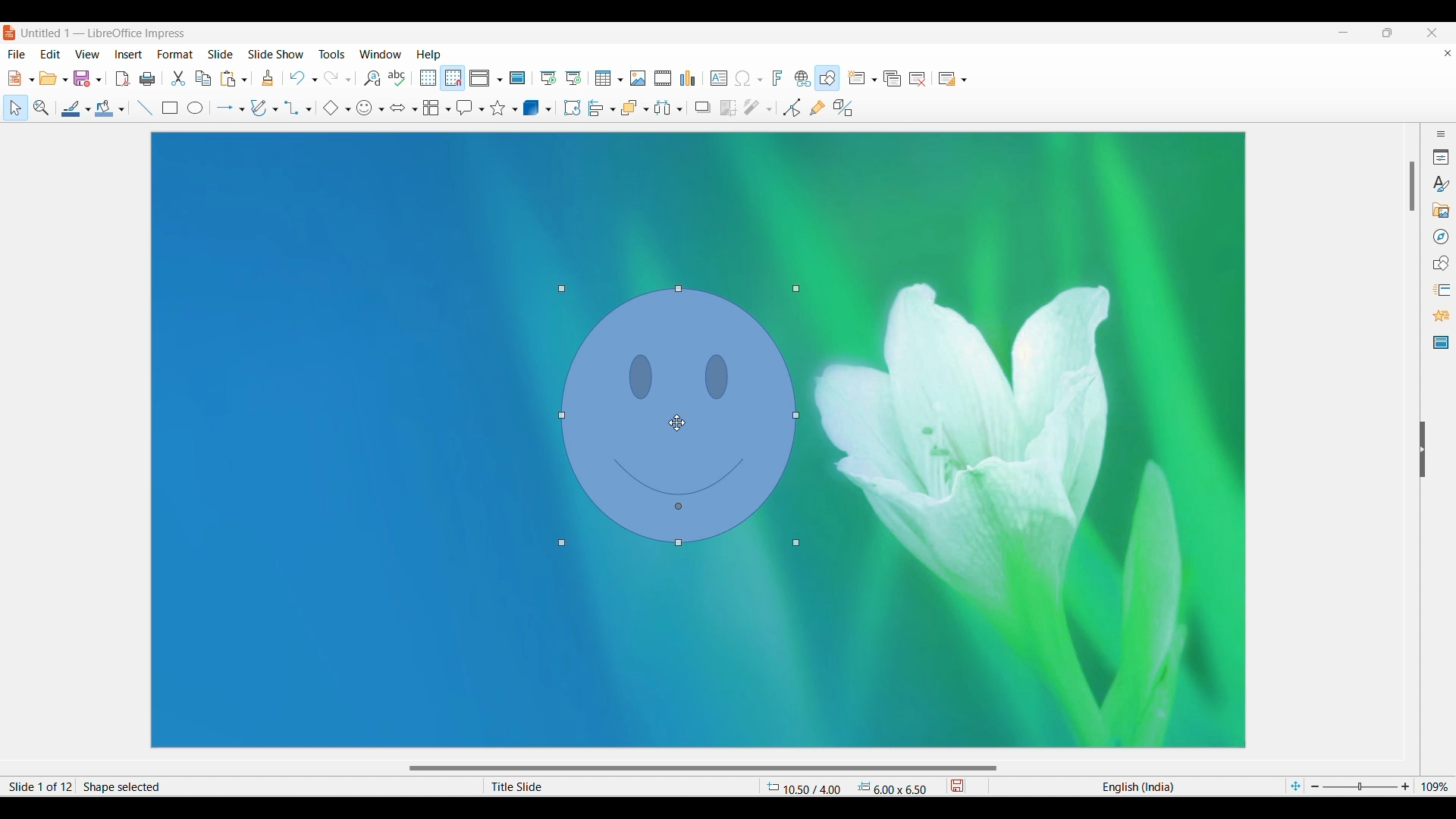 The image size is (1456, 819). Describe the element at coordinates (1435, 786) in the screenshot. I see `109%` at that location.